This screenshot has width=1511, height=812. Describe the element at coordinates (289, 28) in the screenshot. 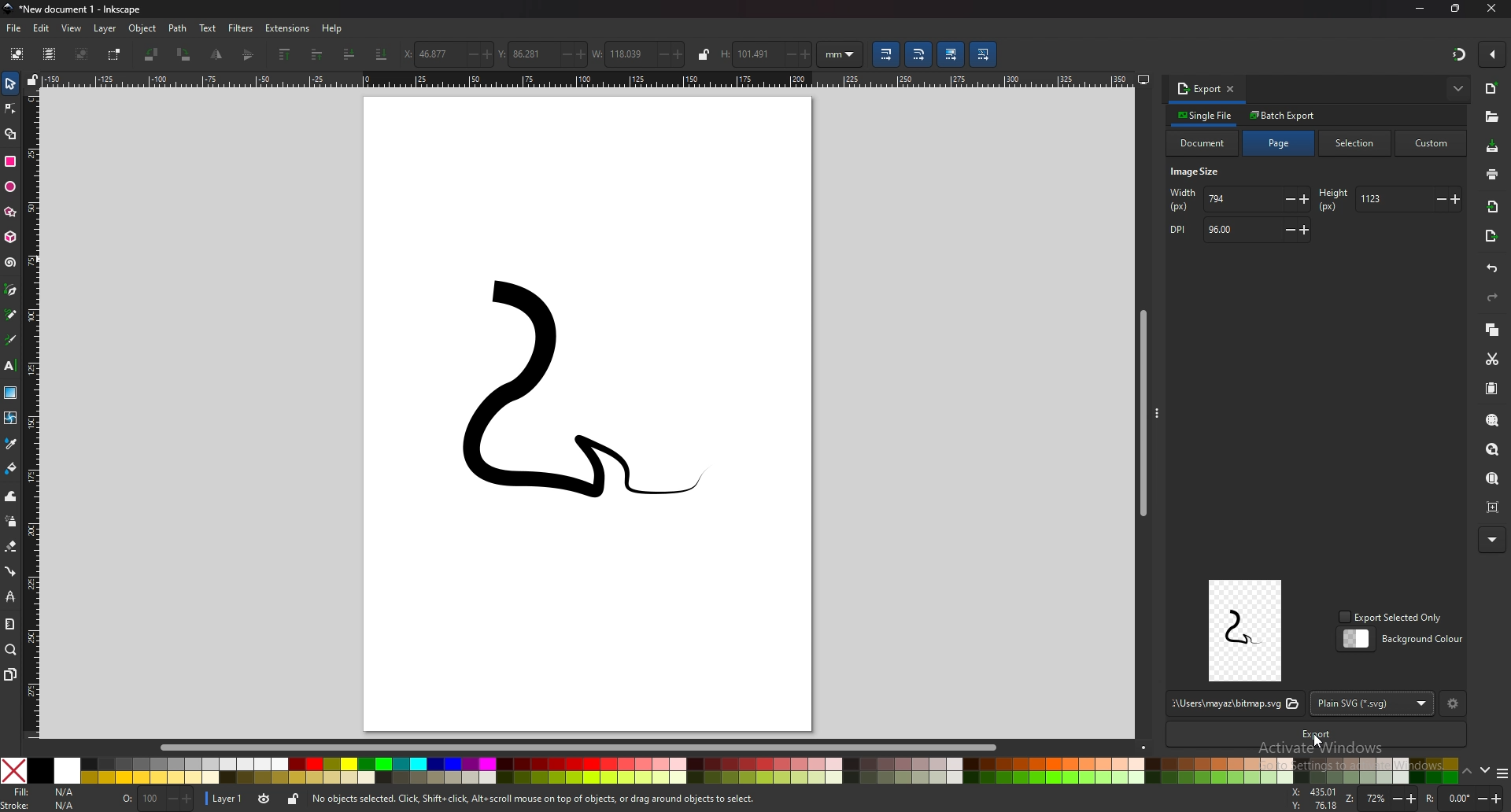

I see `extensions` at that location.